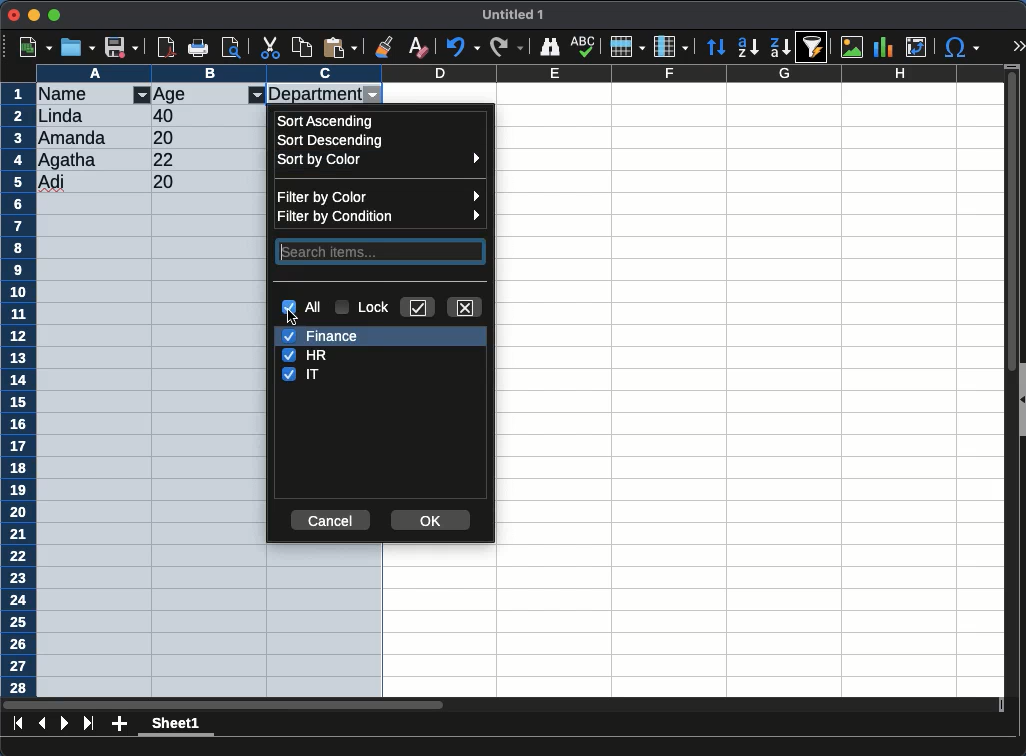  I want to click on untitled 1, so click(514, 15).